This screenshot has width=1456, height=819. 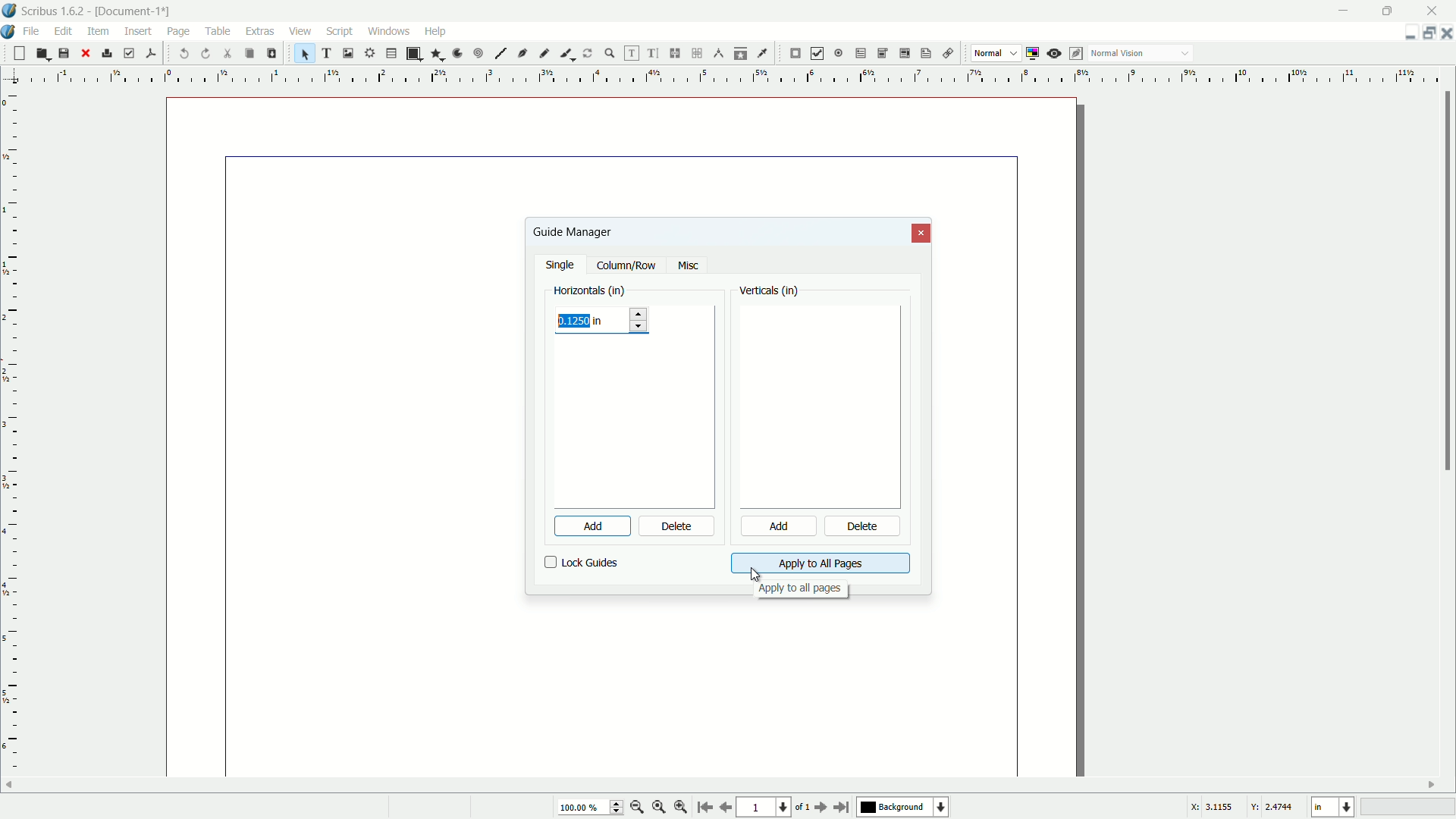 What do you see at coordinates (139, 30) in the screenshot?
I see `insert menu` at bounding box center [139, 30].